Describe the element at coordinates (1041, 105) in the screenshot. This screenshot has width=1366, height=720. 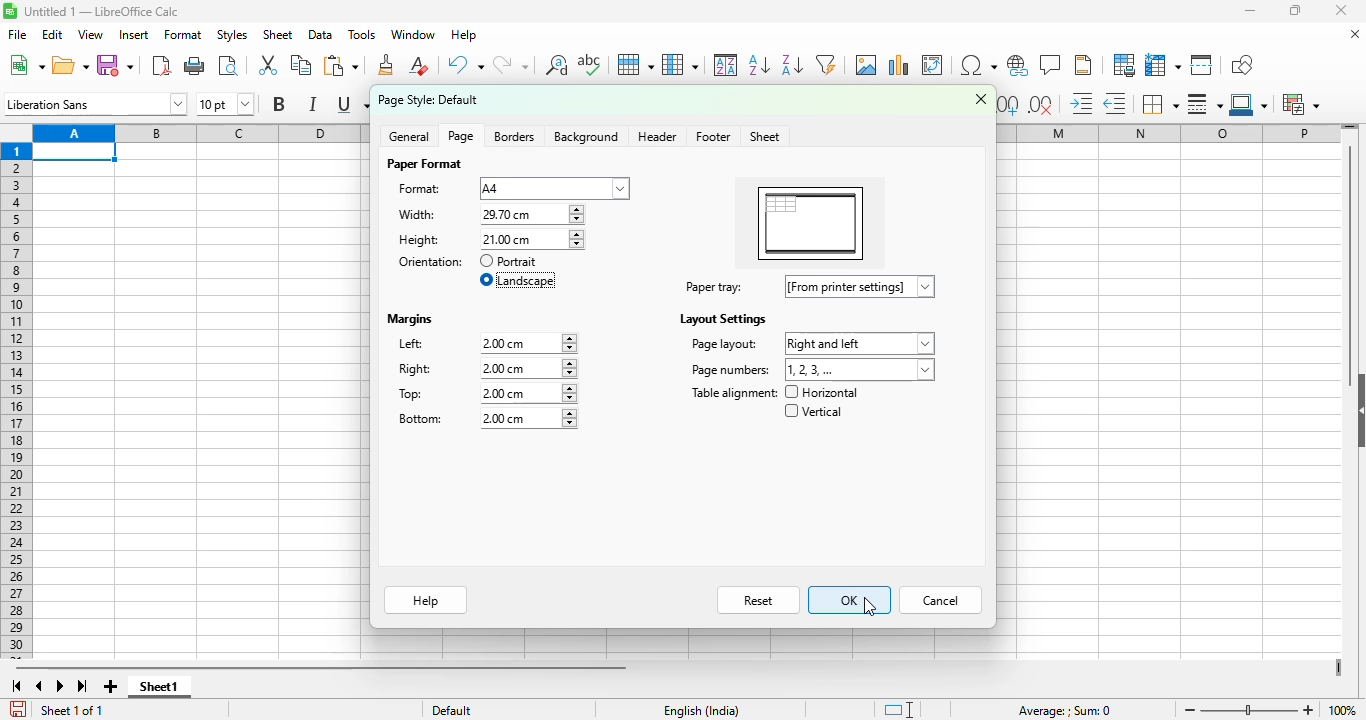
I see `delete decimal` at that location.